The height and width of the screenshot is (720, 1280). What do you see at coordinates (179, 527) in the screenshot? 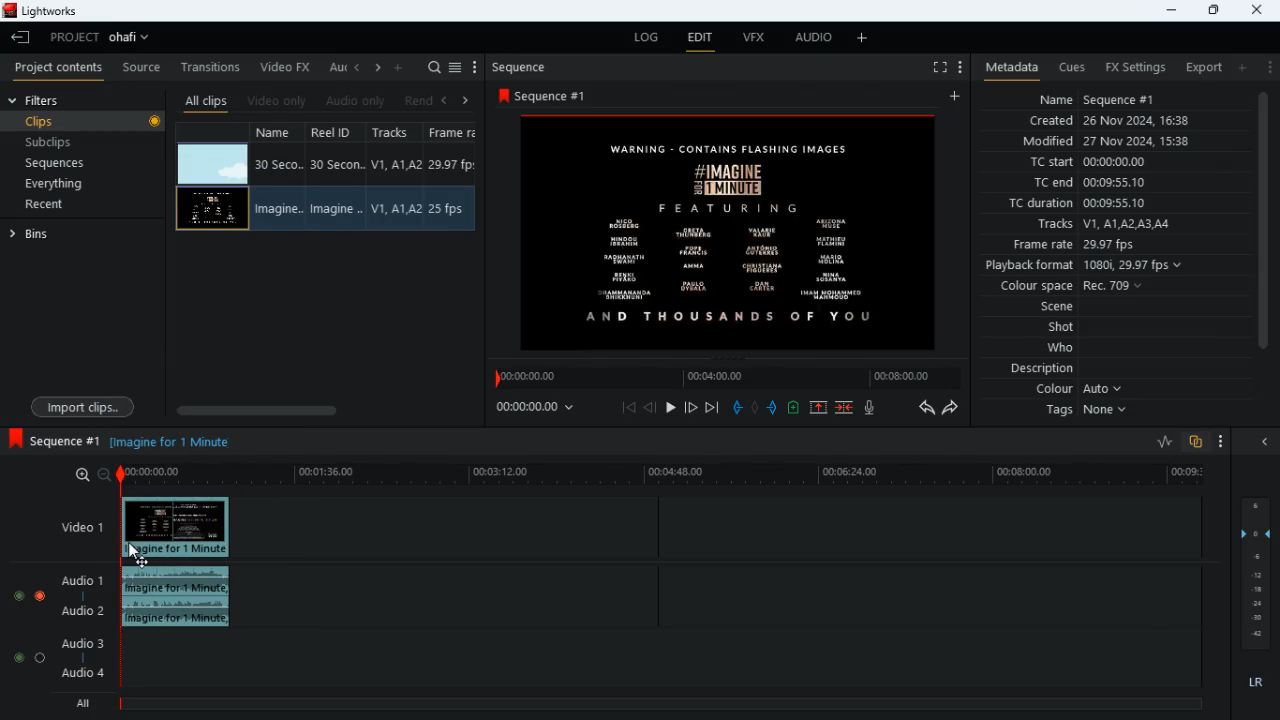
I see `video clip inserted into timeline` at bounding box center [179, 527].